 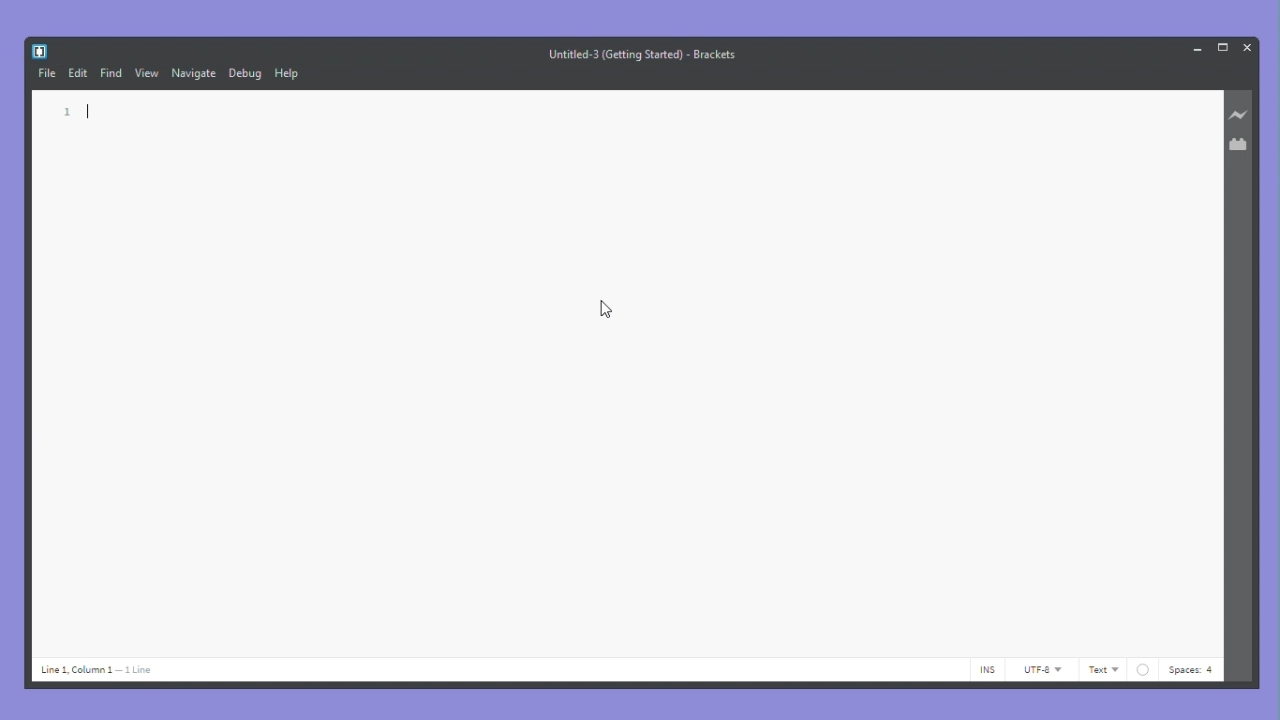 What do you see at coordinates (644, 53) in the screenshot?
I see `Untitled-3 getting Started -  Brackets` at bounding box center [644, 53].